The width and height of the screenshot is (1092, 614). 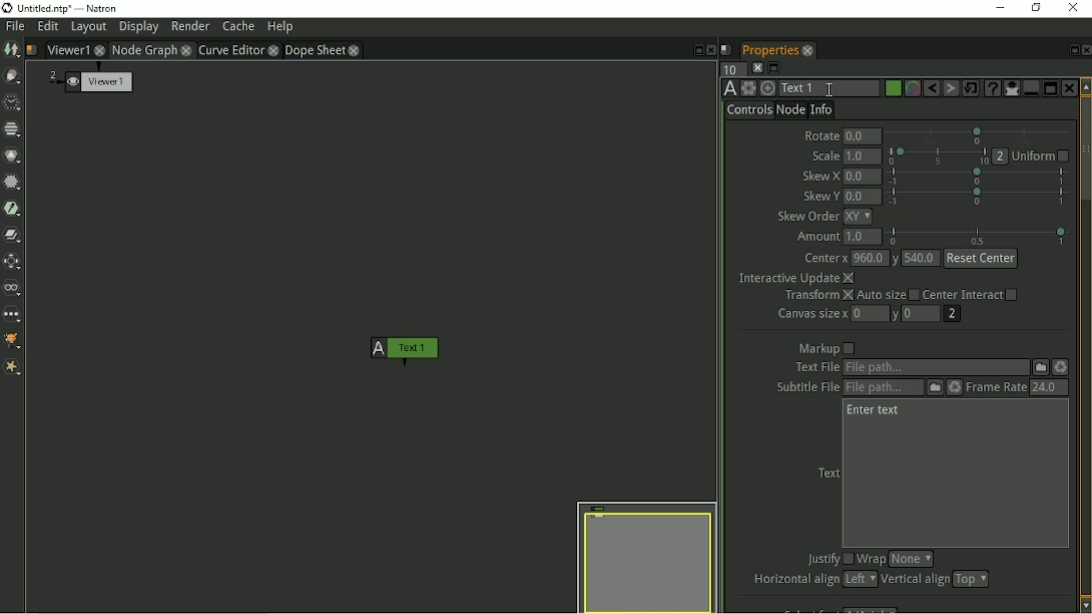 What do you see at coordinates (980, 235) in the screenshot?
I see `selection bar` at bounding box center [980, 235].